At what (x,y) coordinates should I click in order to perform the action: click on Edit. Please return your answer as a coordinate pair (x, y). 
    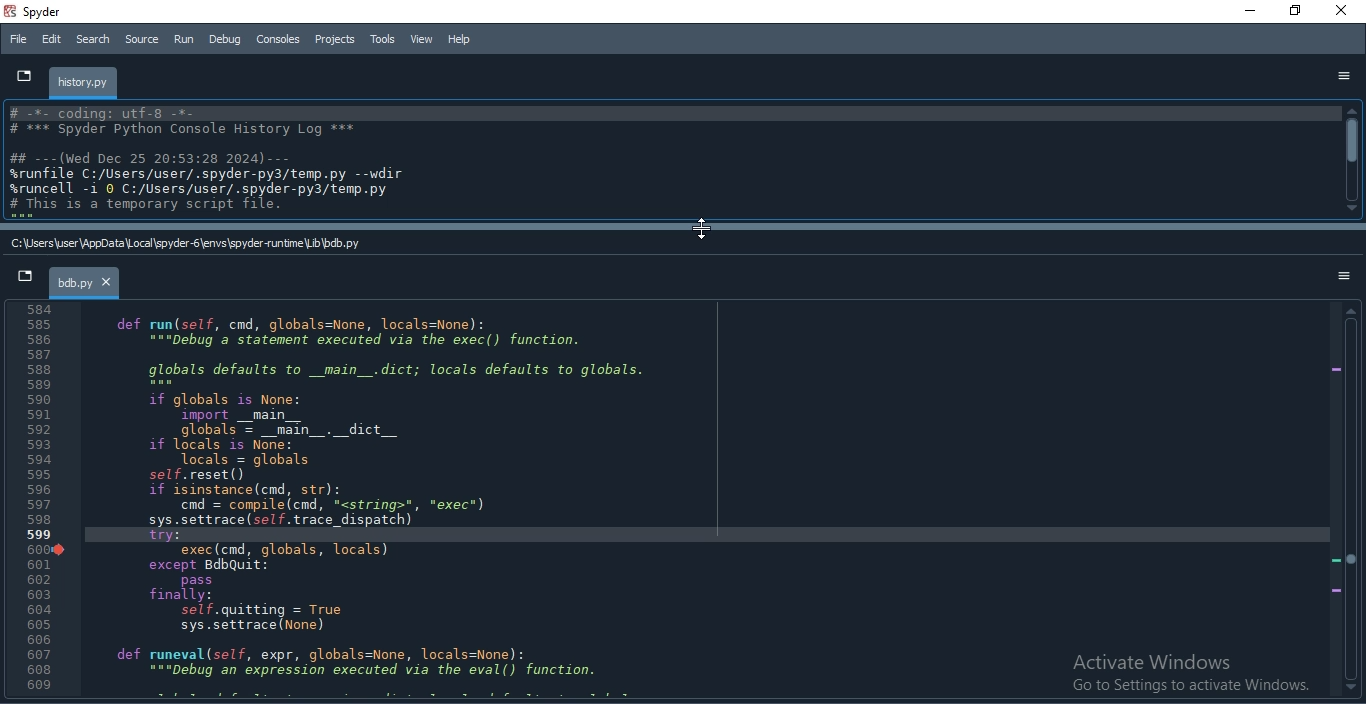
    Looking at the image, I should click on (52, 41).